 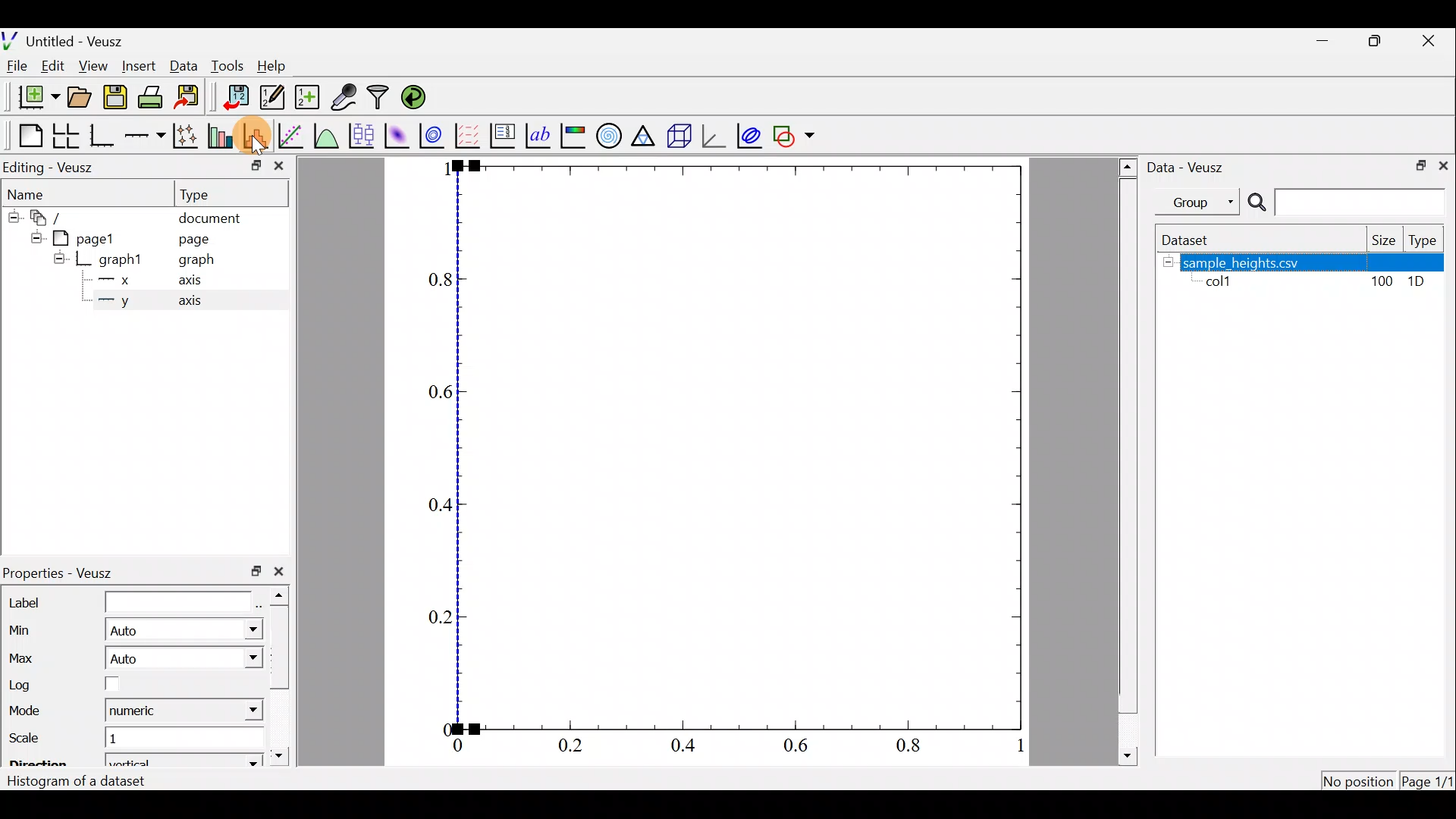 What do you see at coordinates (67, 571) in the screenshot?
I see `Properties - Veusz` at bounding box center [67, 571].